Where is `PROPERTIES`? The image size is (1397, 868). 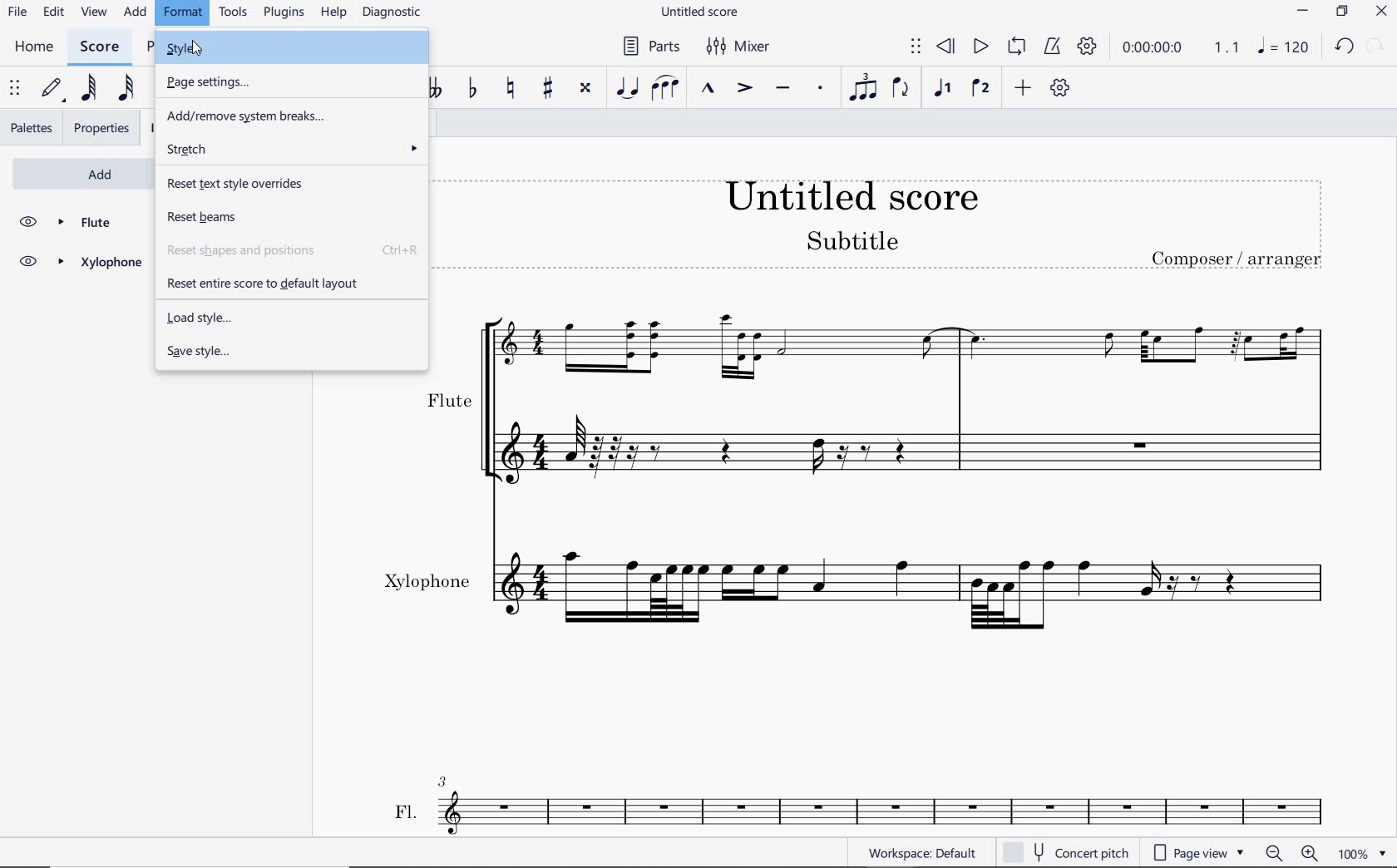 PROPERTIES is located at coordinates (103, 128).